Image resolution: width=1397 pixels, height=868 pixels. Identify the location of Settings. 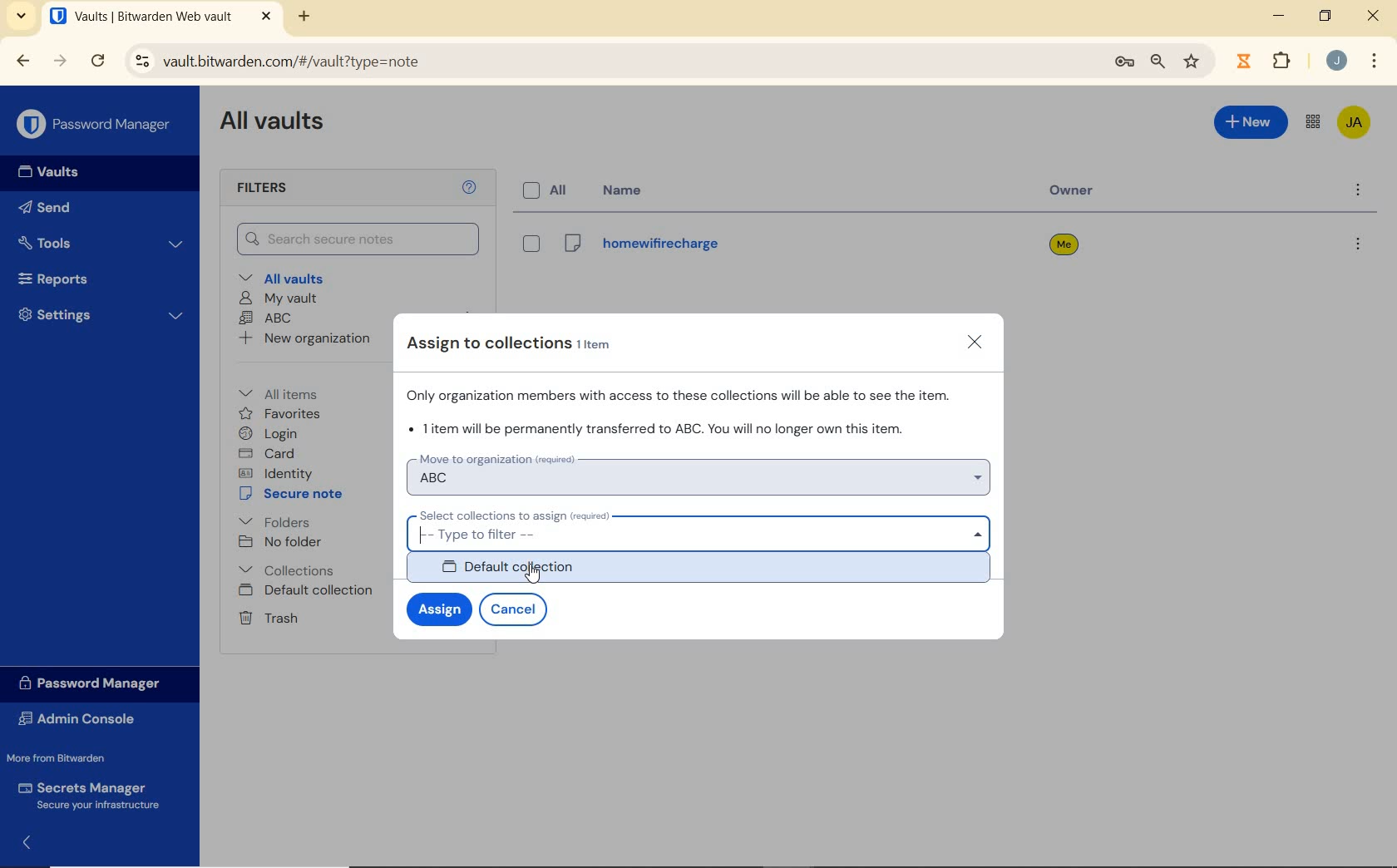
(99, 314).